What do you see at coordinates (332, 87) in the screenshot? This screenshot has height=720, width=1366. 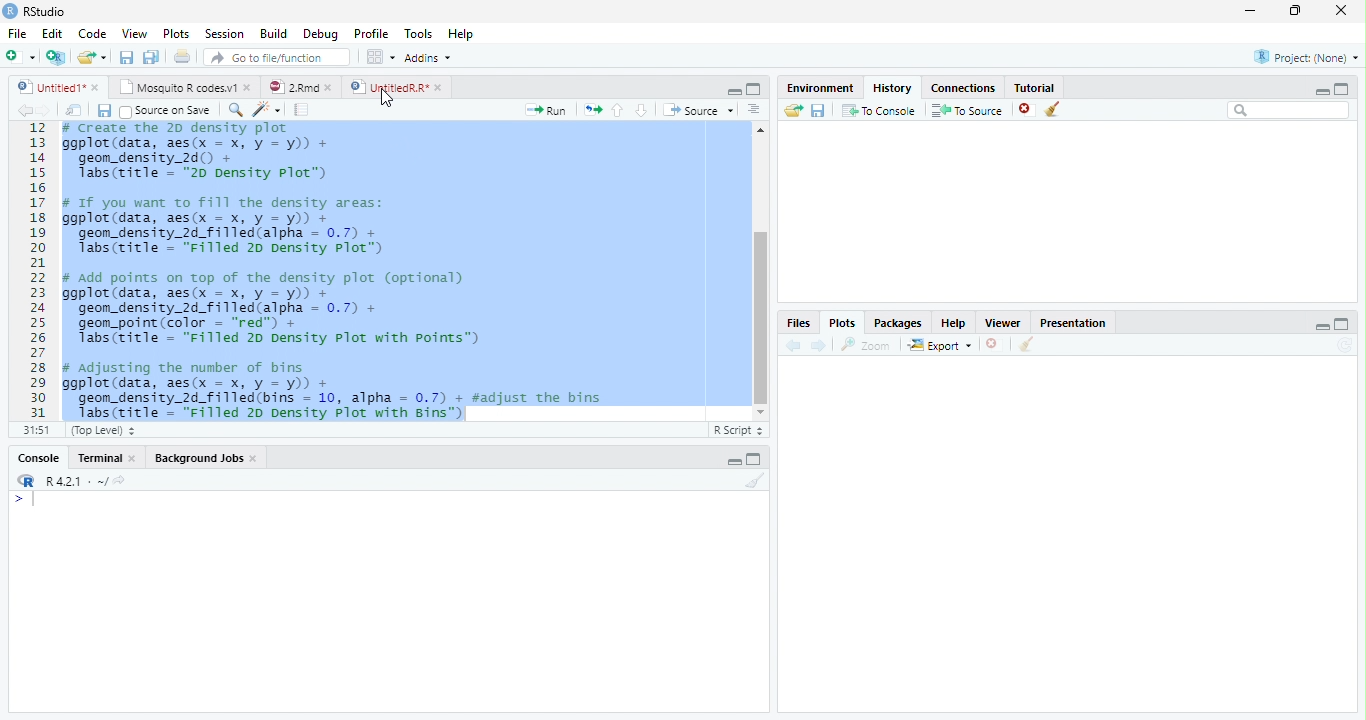 I see `close` at bounding box center [332, 87].